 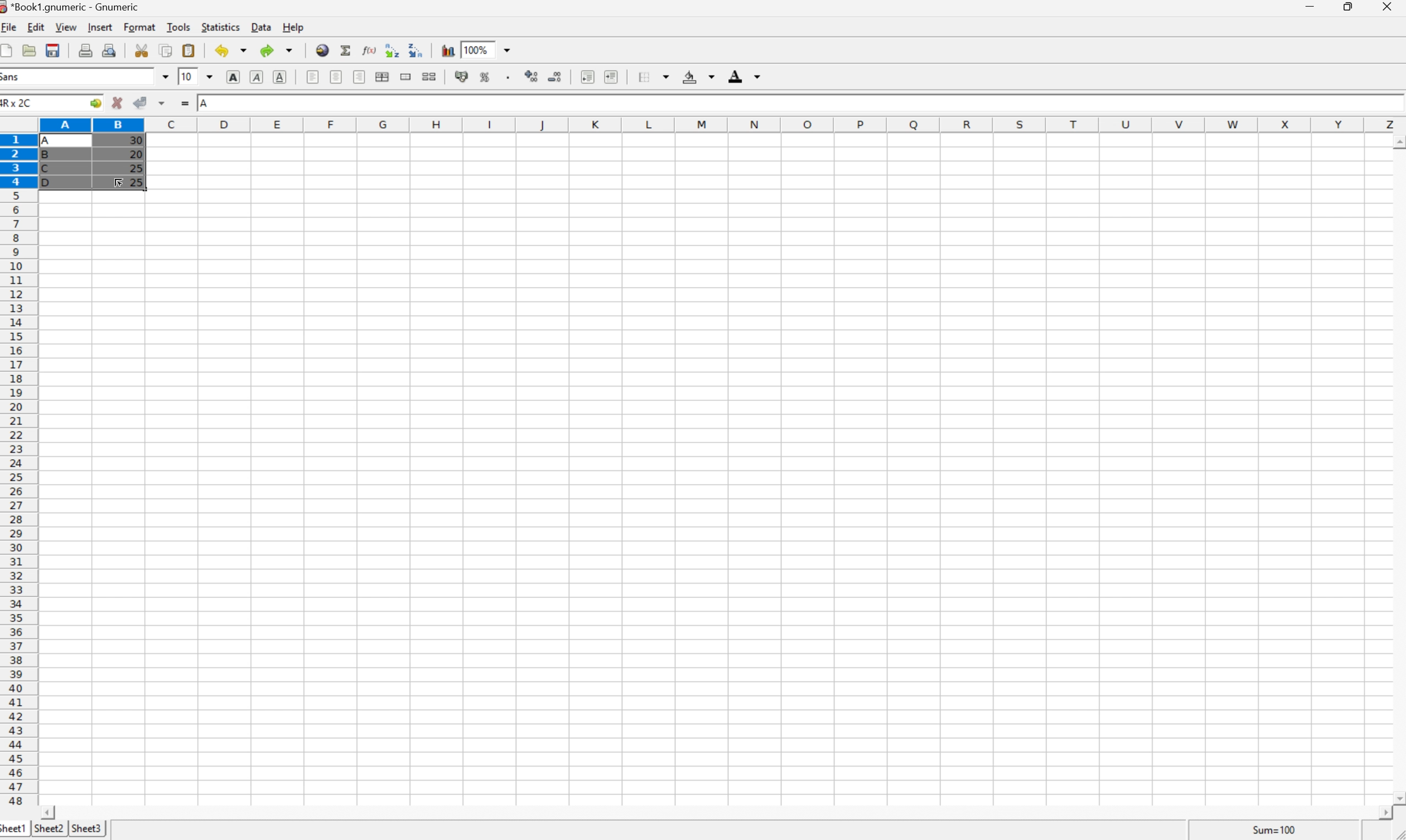 I want to click on Center horizontally, so click(x=337, y=78).